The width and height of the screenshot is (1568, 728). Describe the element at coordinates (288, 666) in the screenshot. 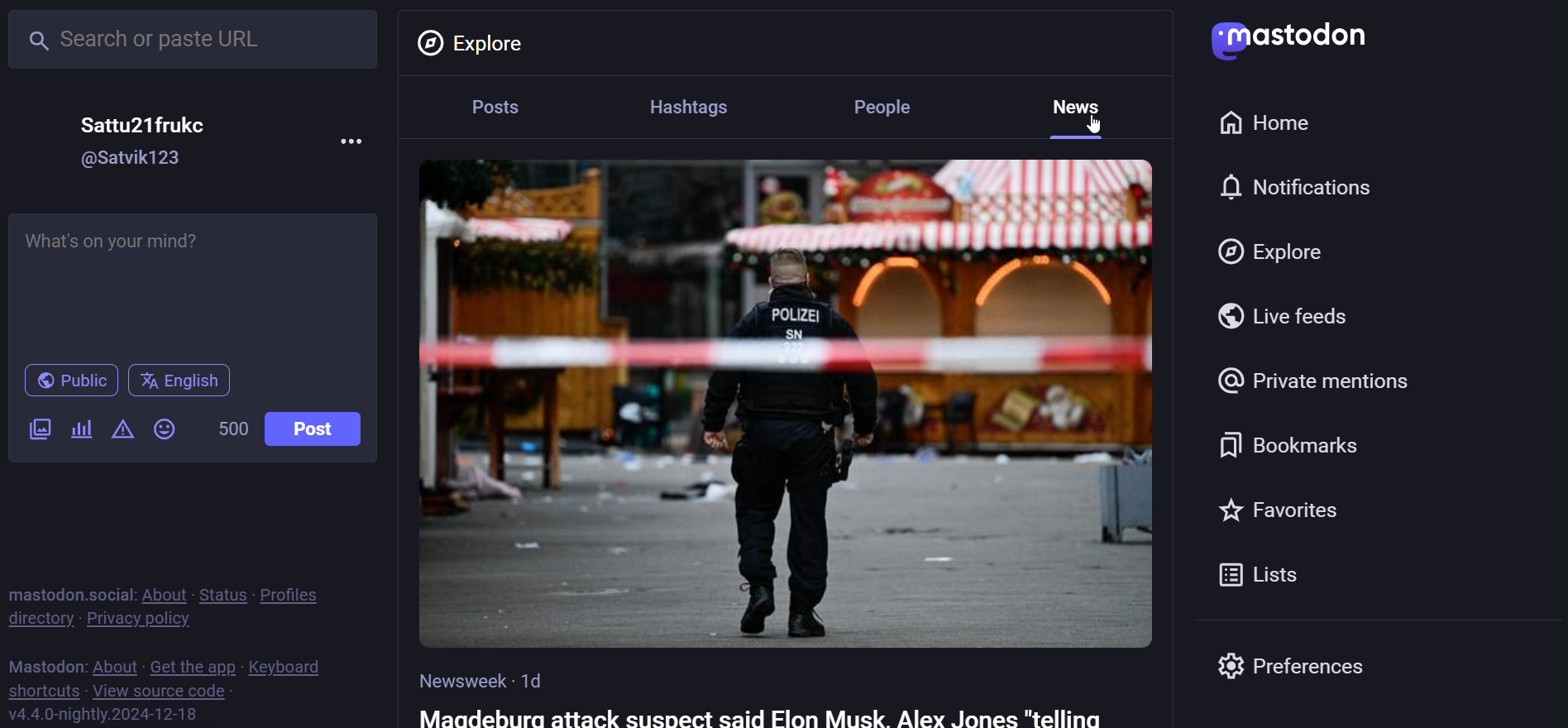

I see `keyboard` at that location.